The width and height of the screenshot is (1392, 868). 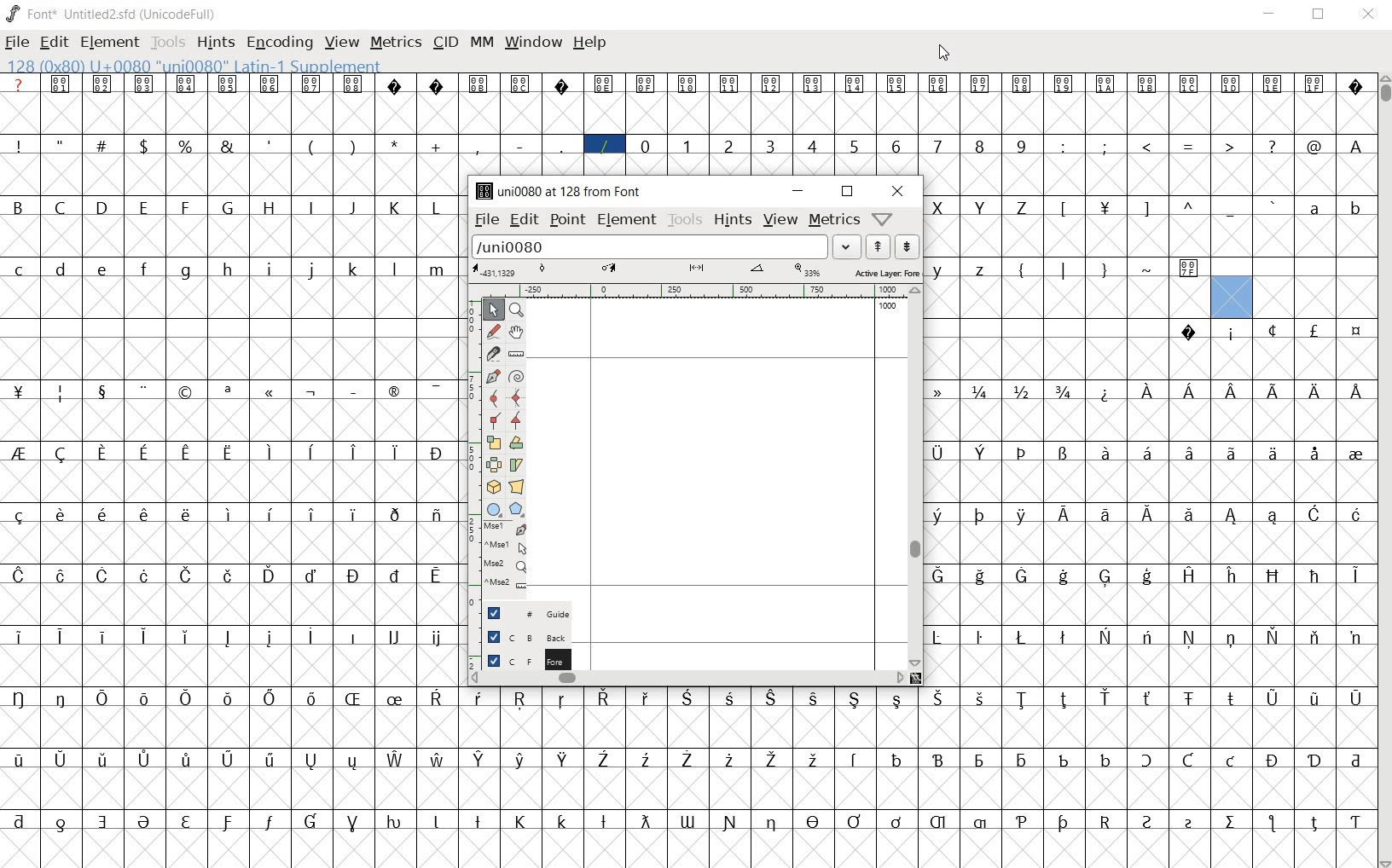 What do you see at coordinates (813, 84) in the screenshot?
I see `glyph` at bounding box center [813, 84].